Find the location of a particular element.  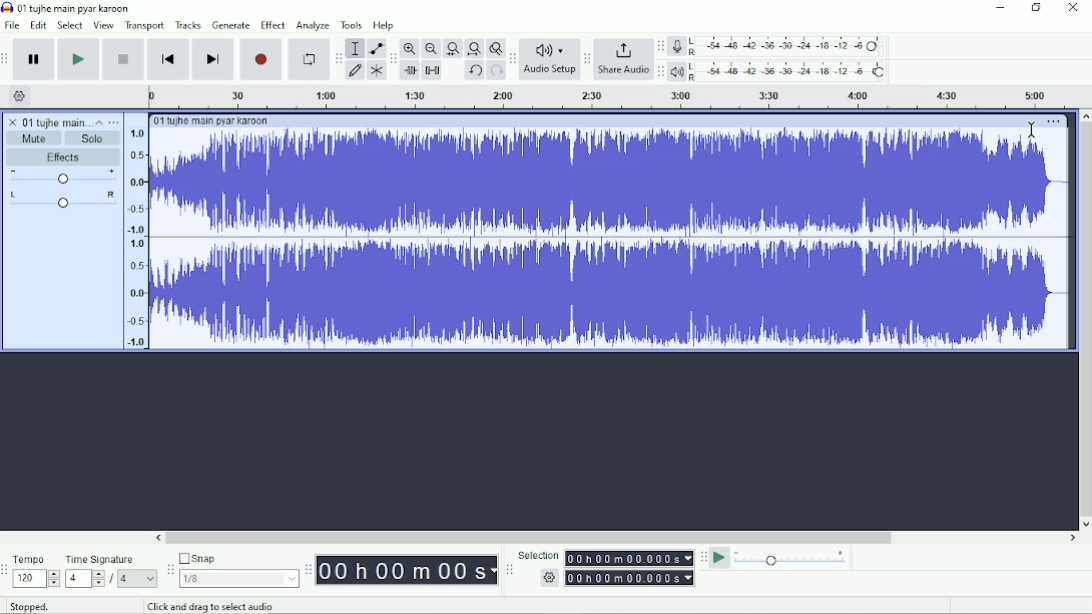

Effect is located at coordinates (274, 25).